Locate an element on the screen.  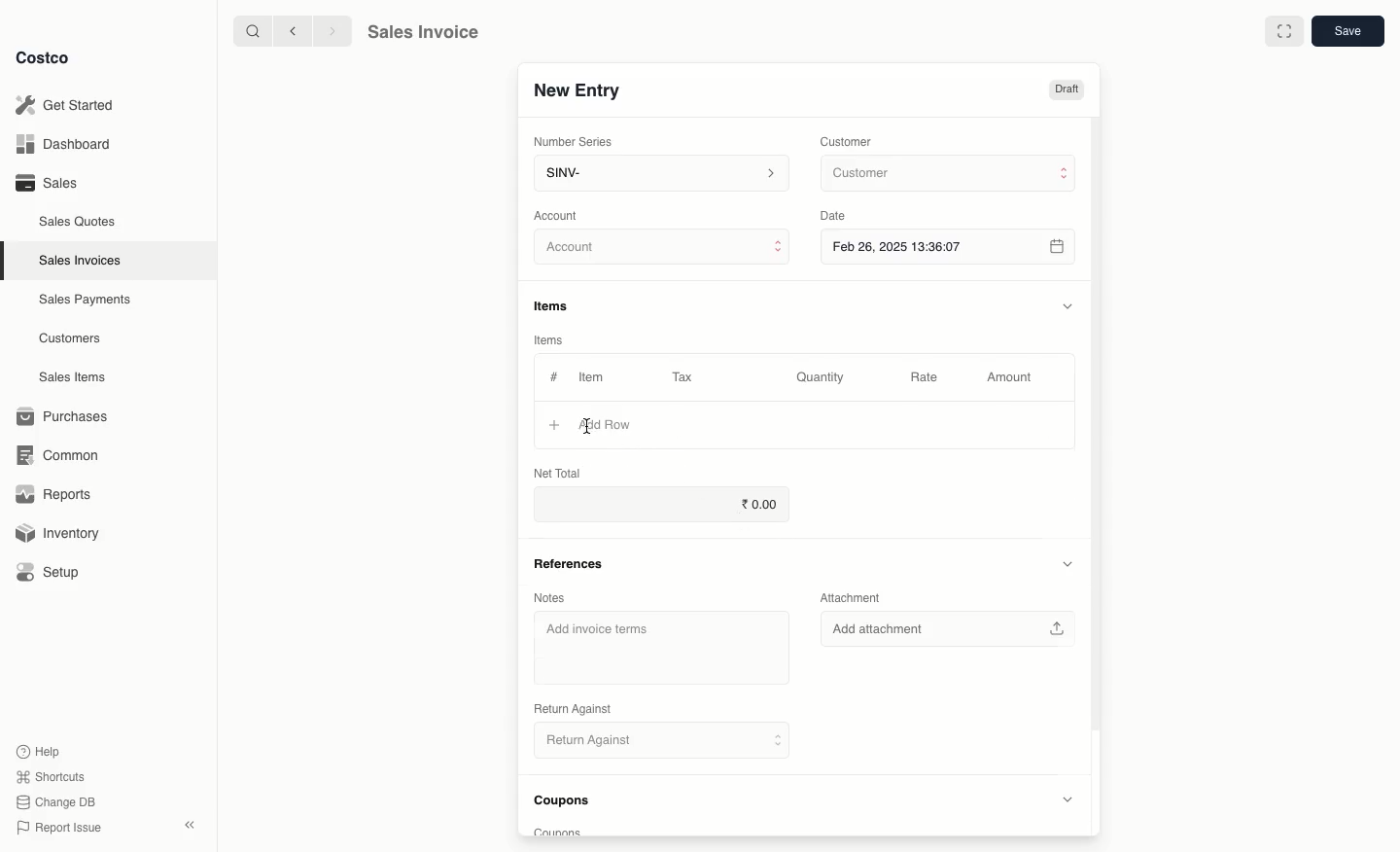
Get Started is located at coordinates (64, 104).